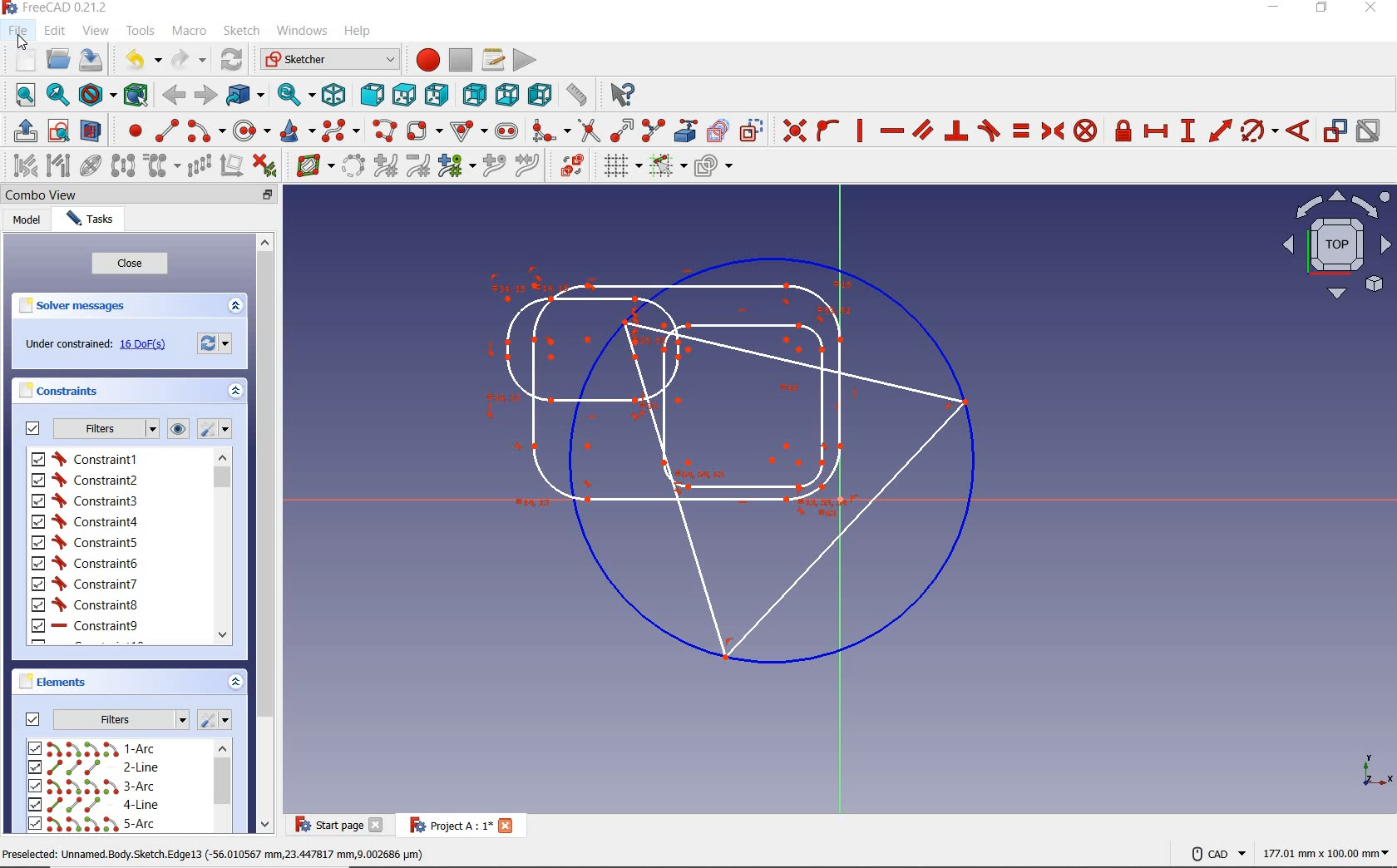 This screenshot has width=1397, height=868. Describe the element at coordinates (96, 32) in the screenshot. I see `view` at that location.